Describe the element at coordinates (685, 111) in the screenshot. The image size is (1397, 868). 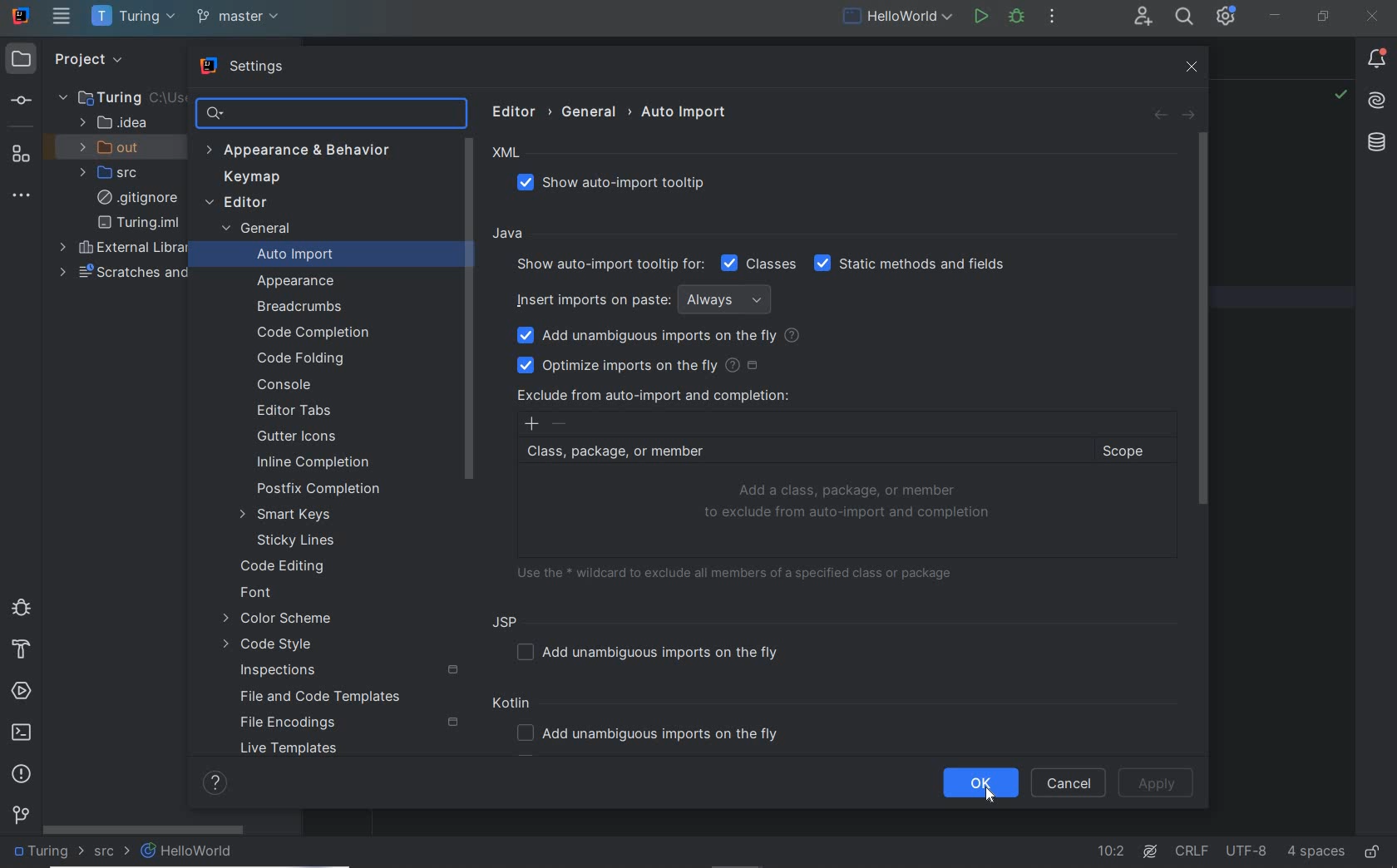
I see `auto import` at that location.